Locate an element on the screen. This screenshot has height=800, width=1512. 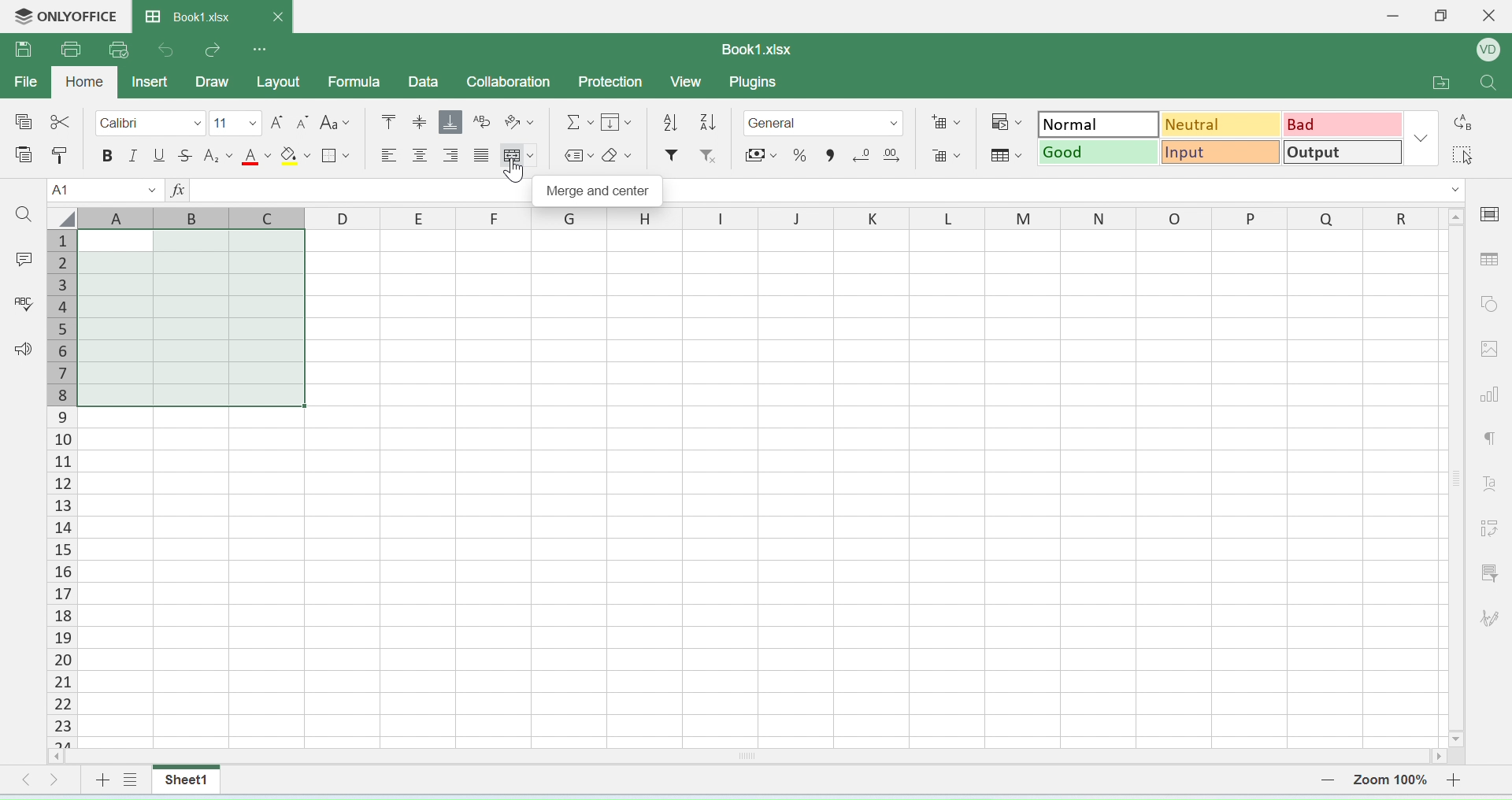
output is located at coordinates (1343, 152).